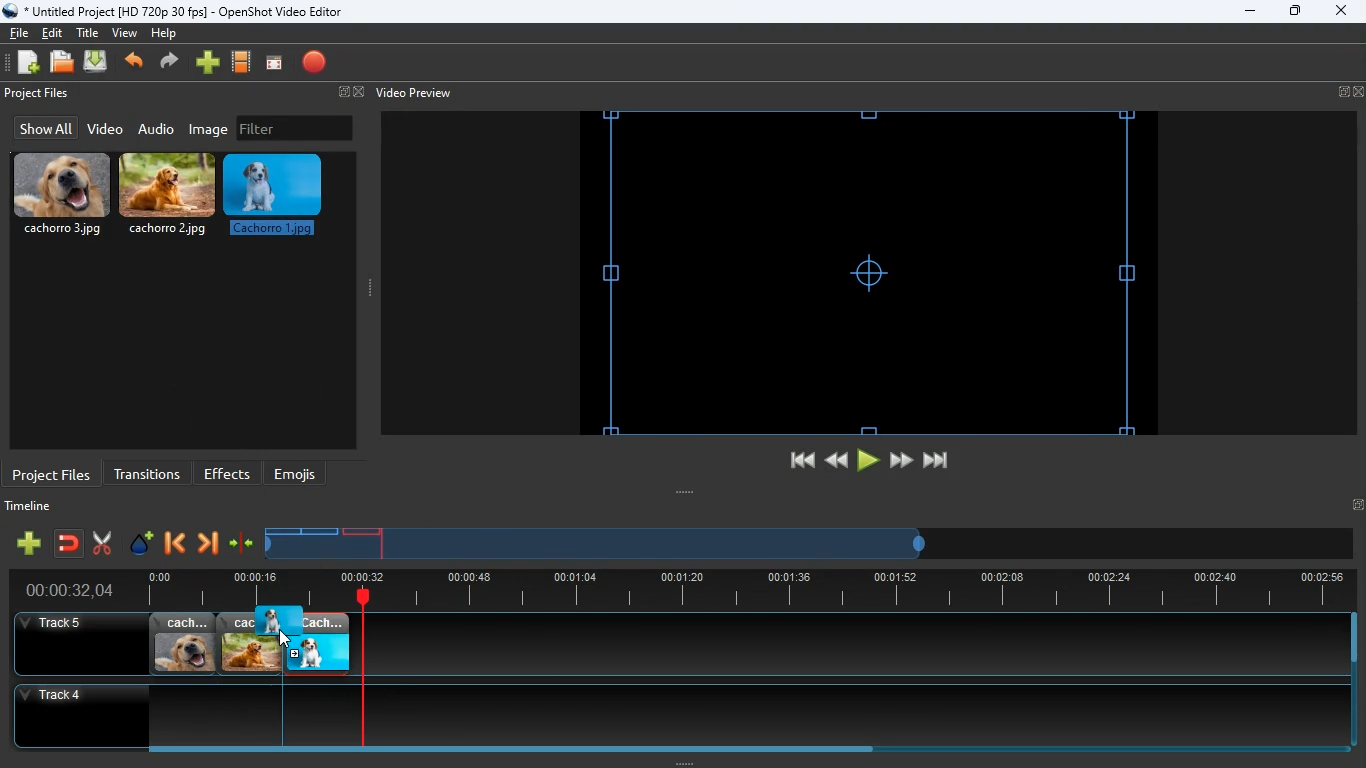 The height and width of the screenshot is (768, 1366). What do you see at coordinates (183, 644) in the screenshot?
I see `cachorro.3.jpg` at bounding box center [183, 644].